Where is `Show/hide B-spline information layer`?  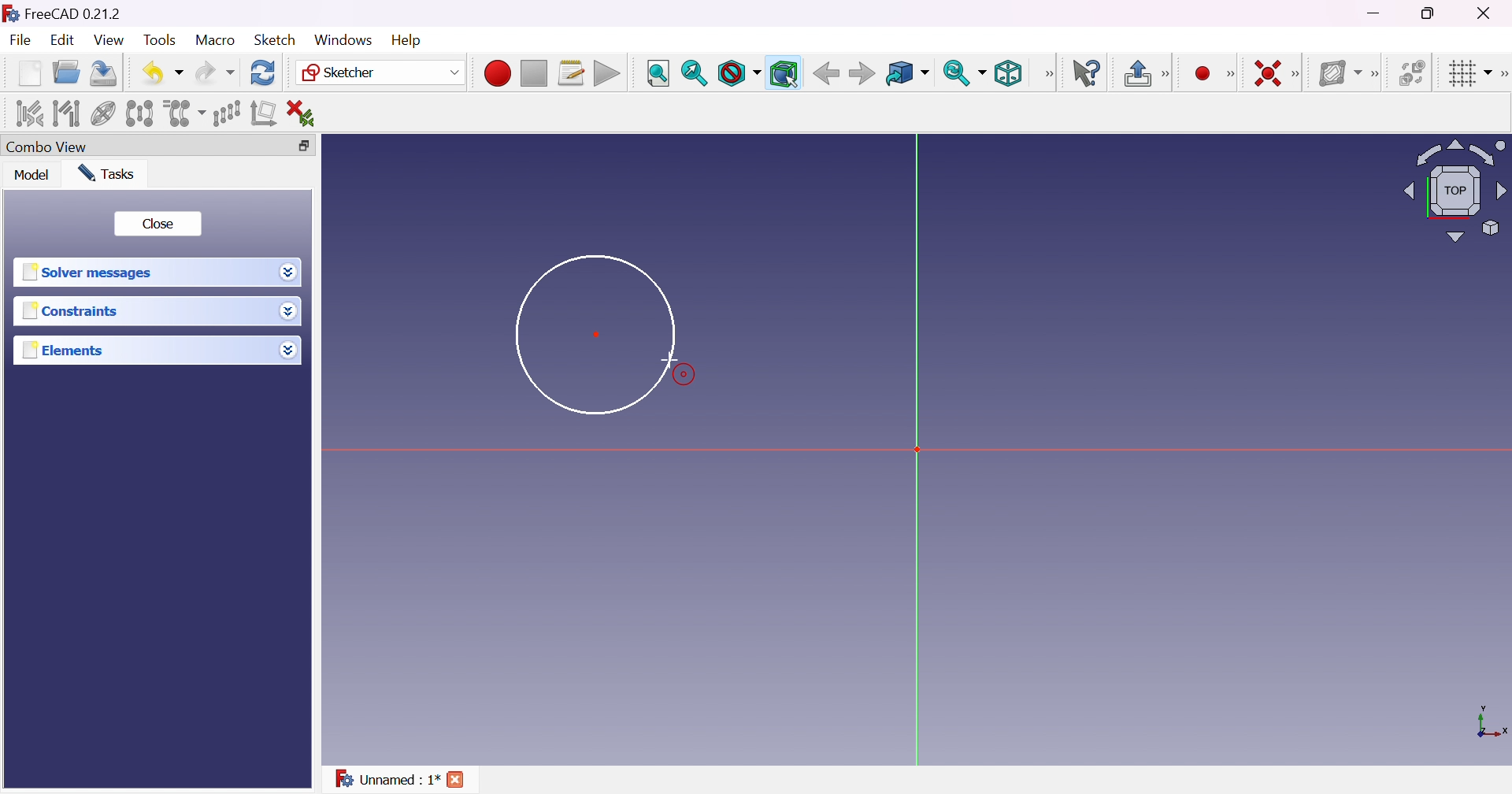
Show/hide B-spline information layer is located at coordinates (1340, 74).